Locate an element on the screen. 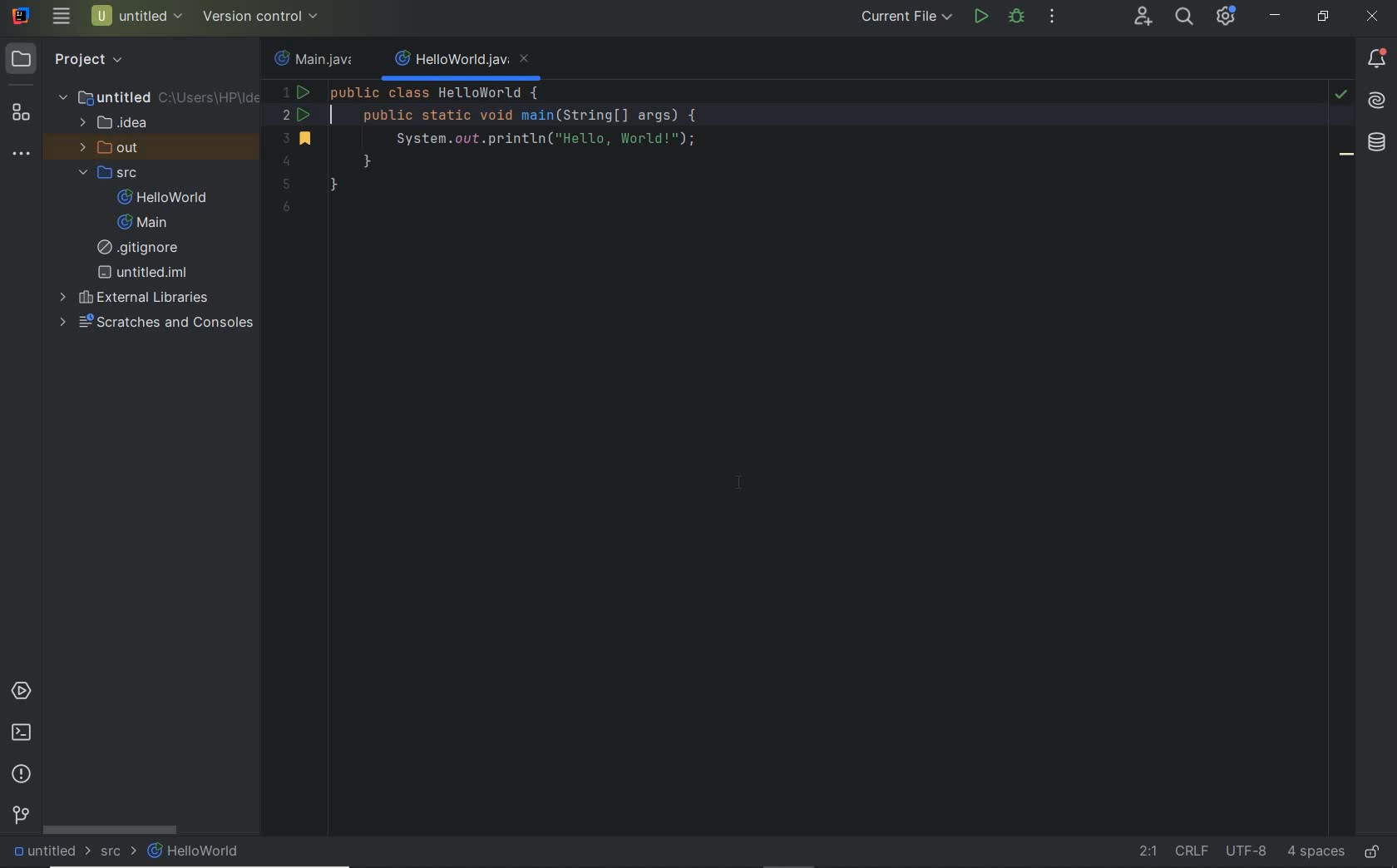 This screenshot has width=1397, height=868. scratches and consoles is located at coordinates (157, 323).